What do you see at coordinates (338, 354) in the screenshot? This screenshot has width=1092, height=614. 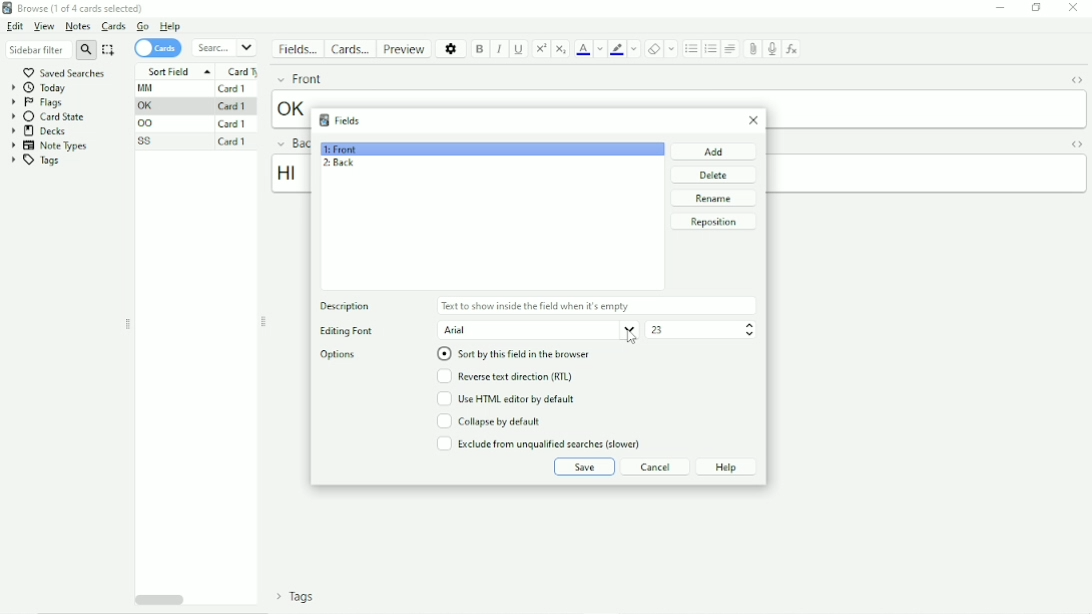 I see `Options` at bounding box center [338, 354].